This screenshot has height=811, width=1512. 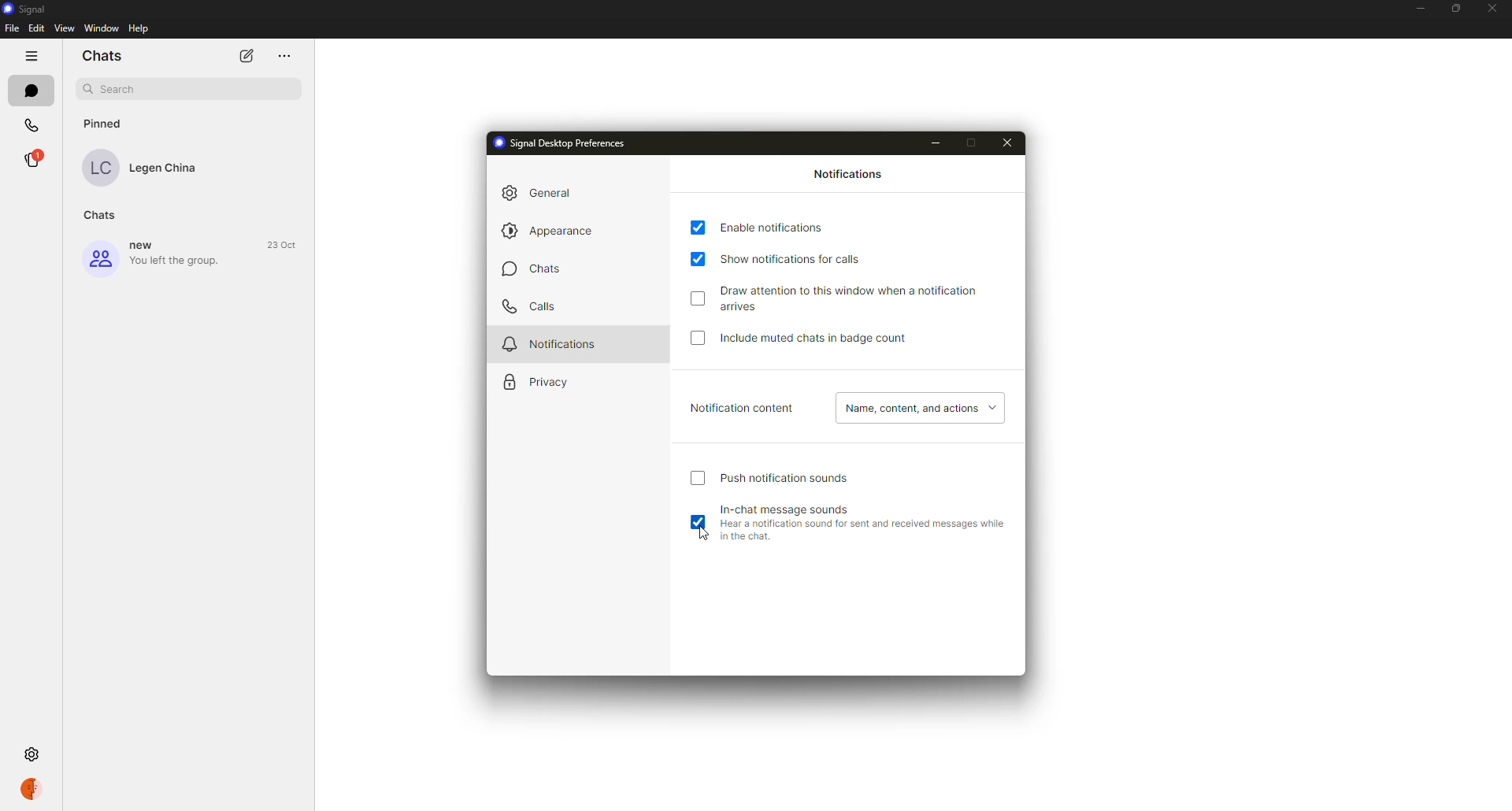 I want to click on general, so click(x=537, y=194).